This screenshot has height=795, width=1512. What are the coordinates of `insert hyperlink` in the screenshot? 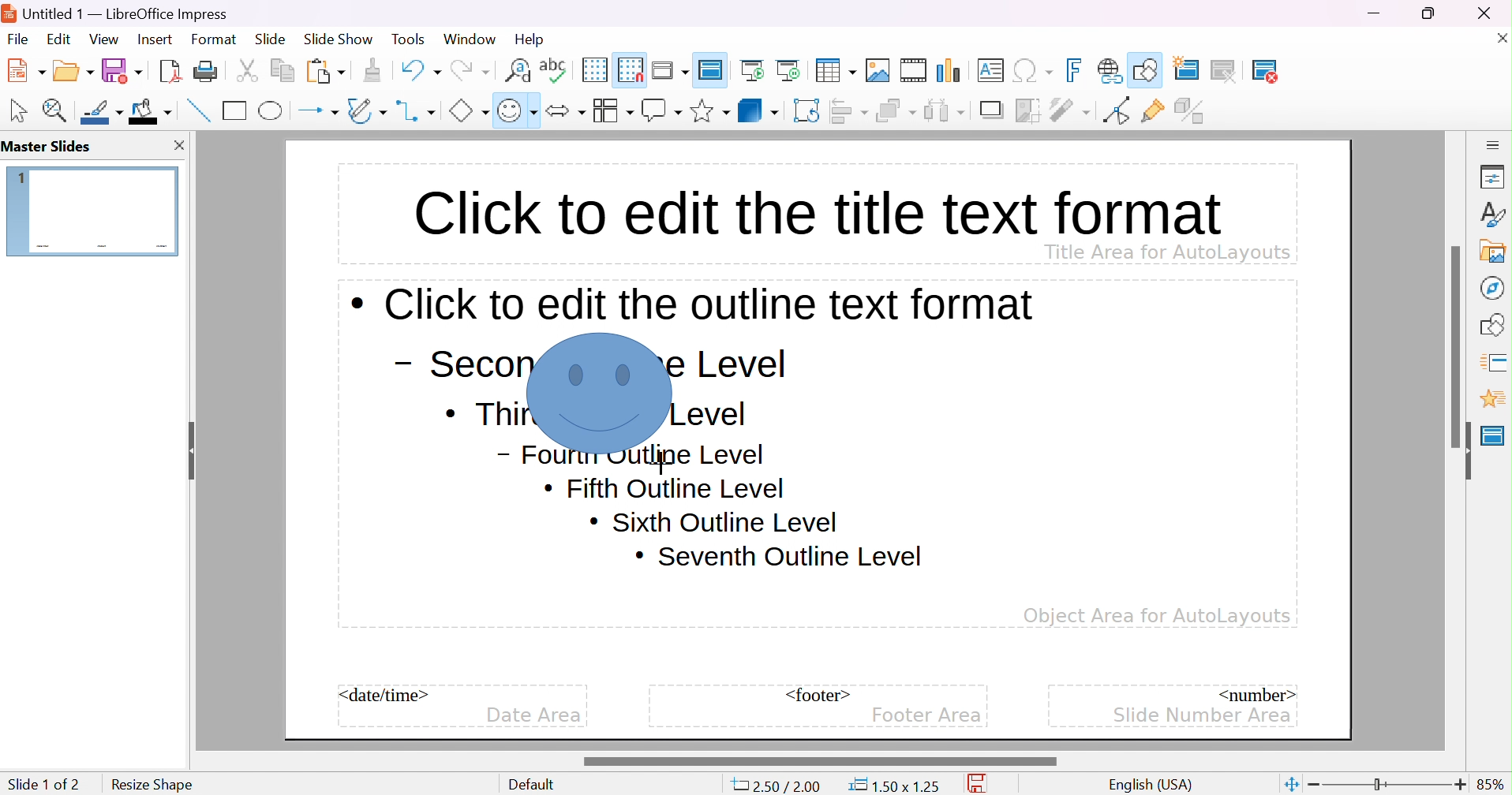 It's located at (1110, 70).